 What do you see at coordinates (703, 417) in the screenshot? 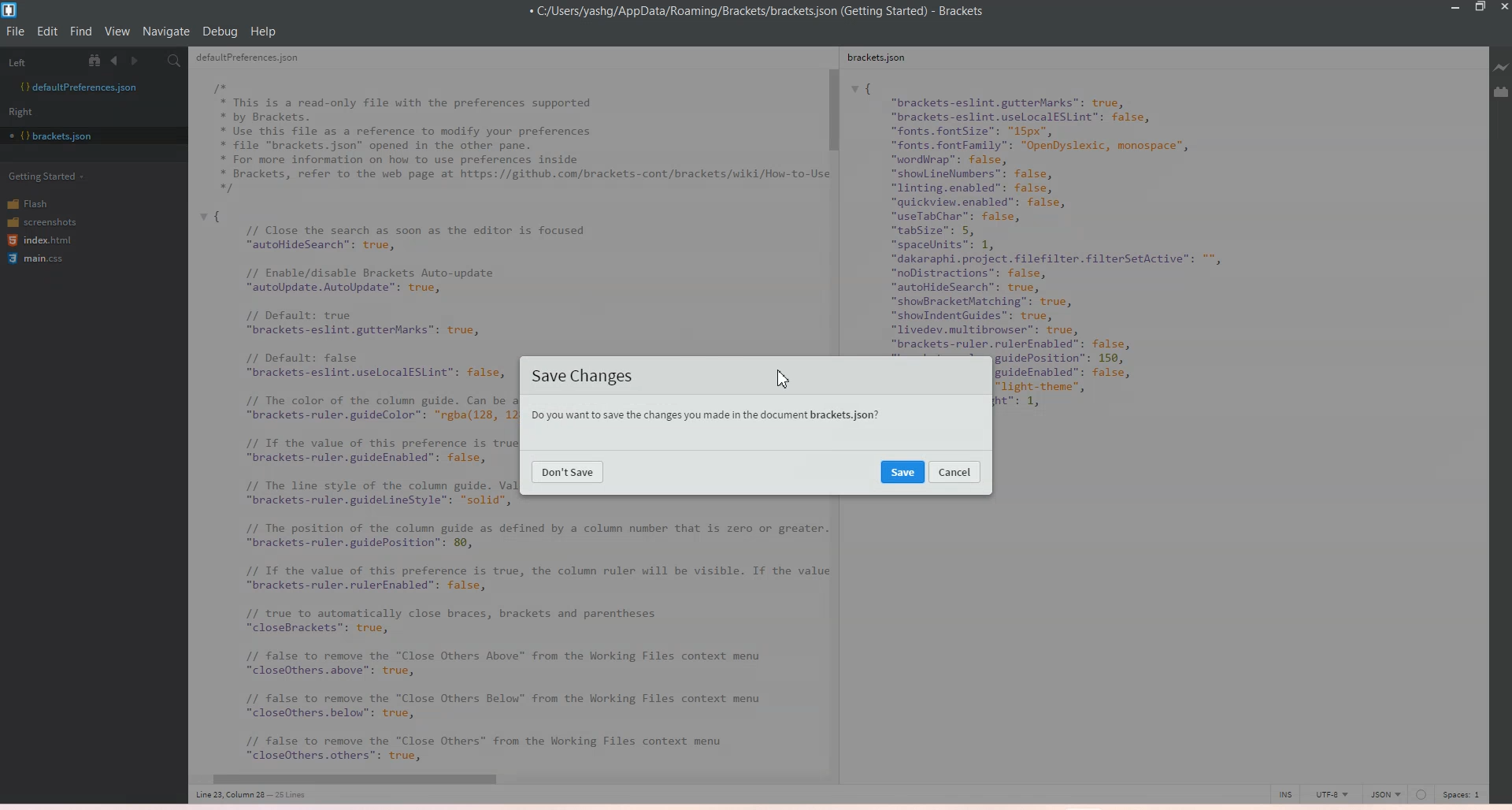
I see `Do you want to save the changes you made in the document brackets. json?` at bounding box center [703, 417].